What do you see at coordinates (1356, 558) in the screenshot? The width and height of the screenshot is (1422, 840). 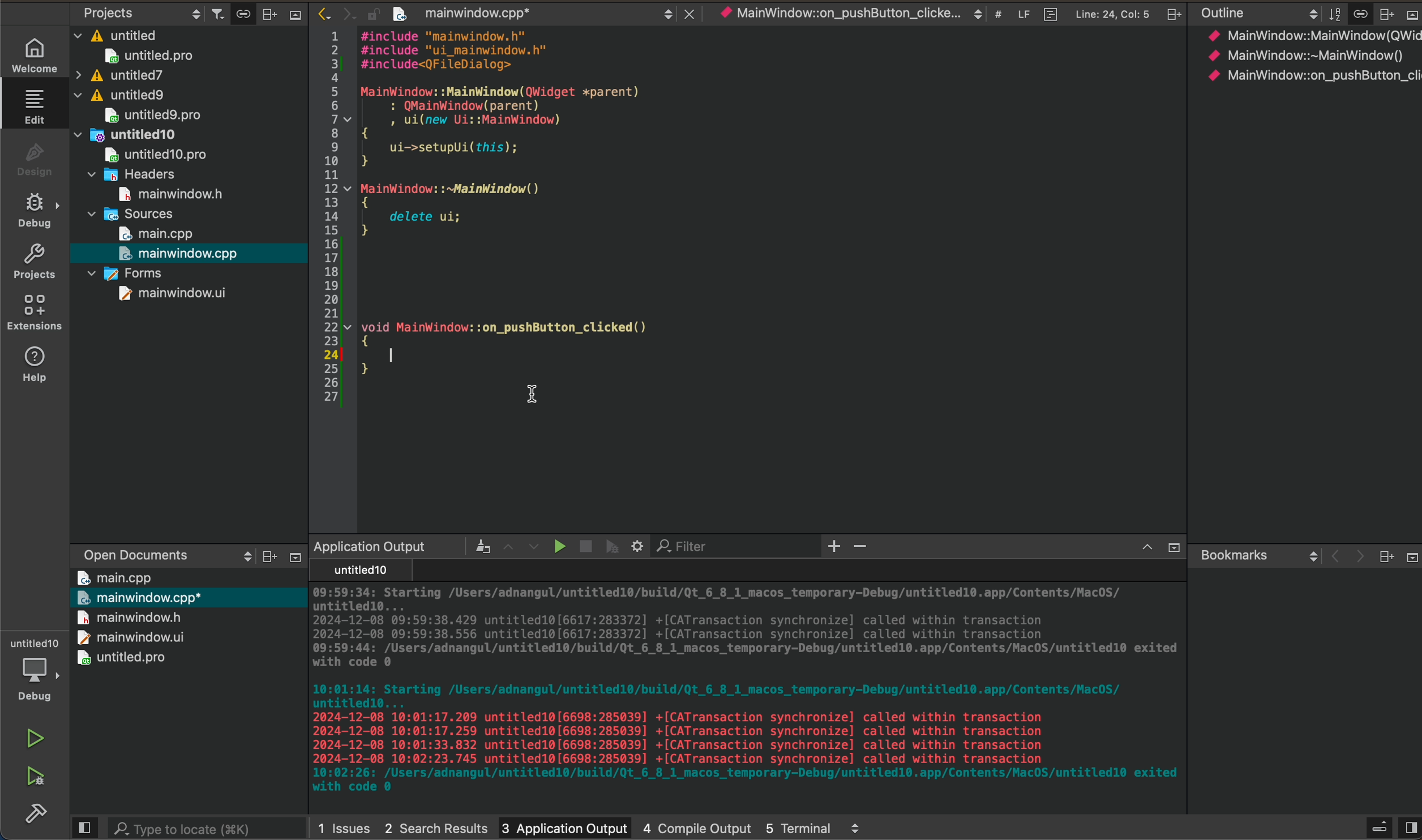 I see `next` at bounding box center [1356, 558].